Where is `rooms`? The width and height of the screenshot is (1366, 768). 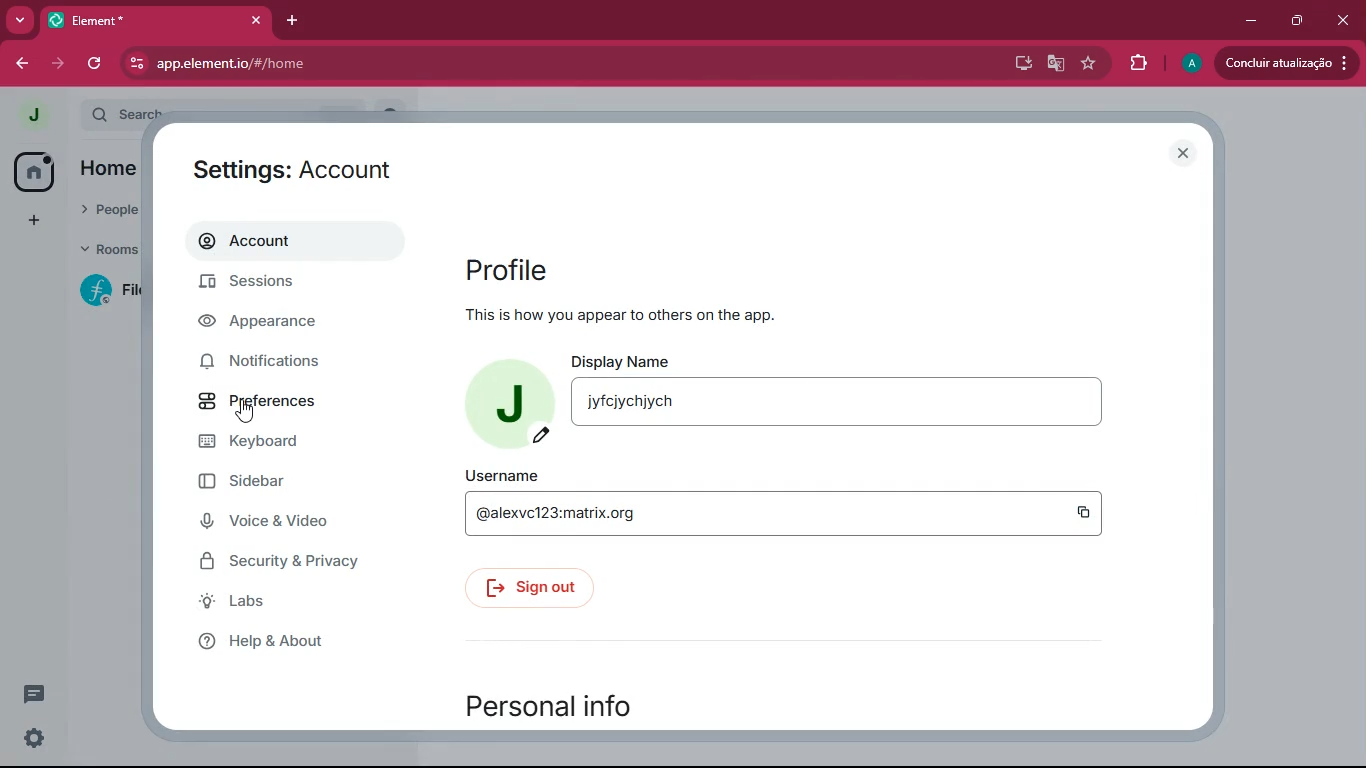
rooms is located at coordinates (108, 249).